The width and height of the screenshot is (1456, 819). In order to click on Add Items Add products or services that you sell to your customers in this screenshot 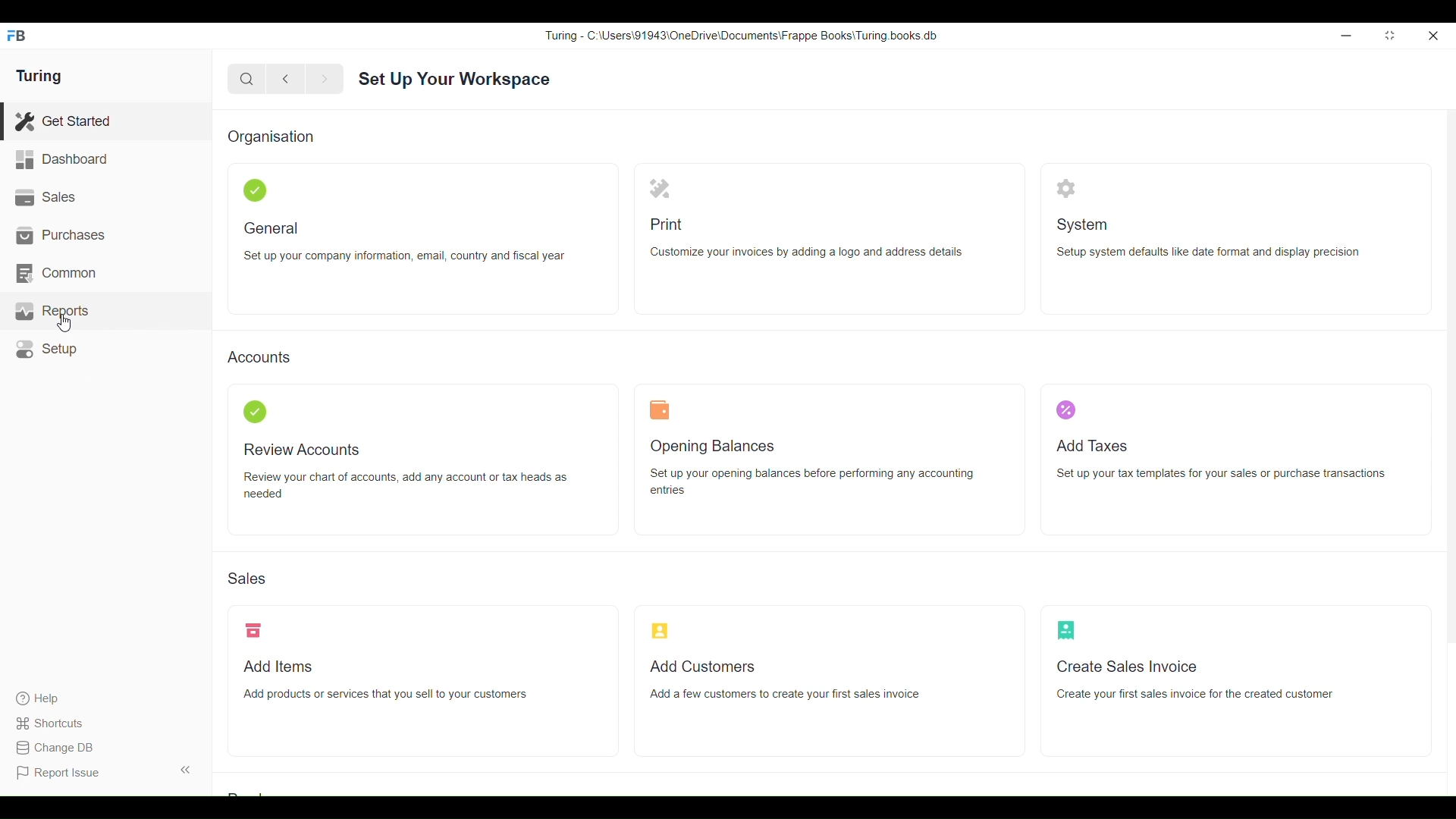, I will do `click(385, 681)`.